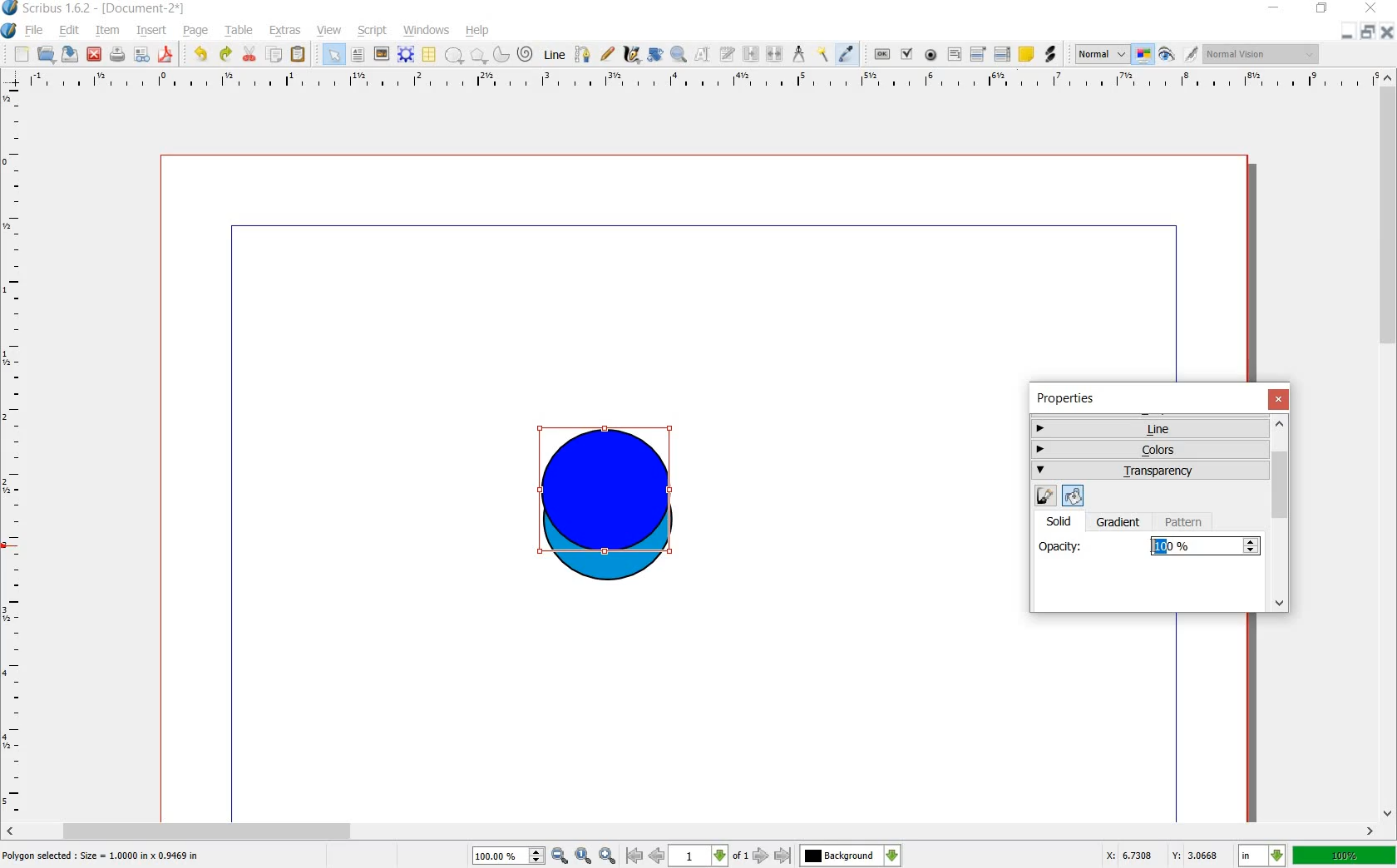  I want to click on solid, so click(1065, 520).